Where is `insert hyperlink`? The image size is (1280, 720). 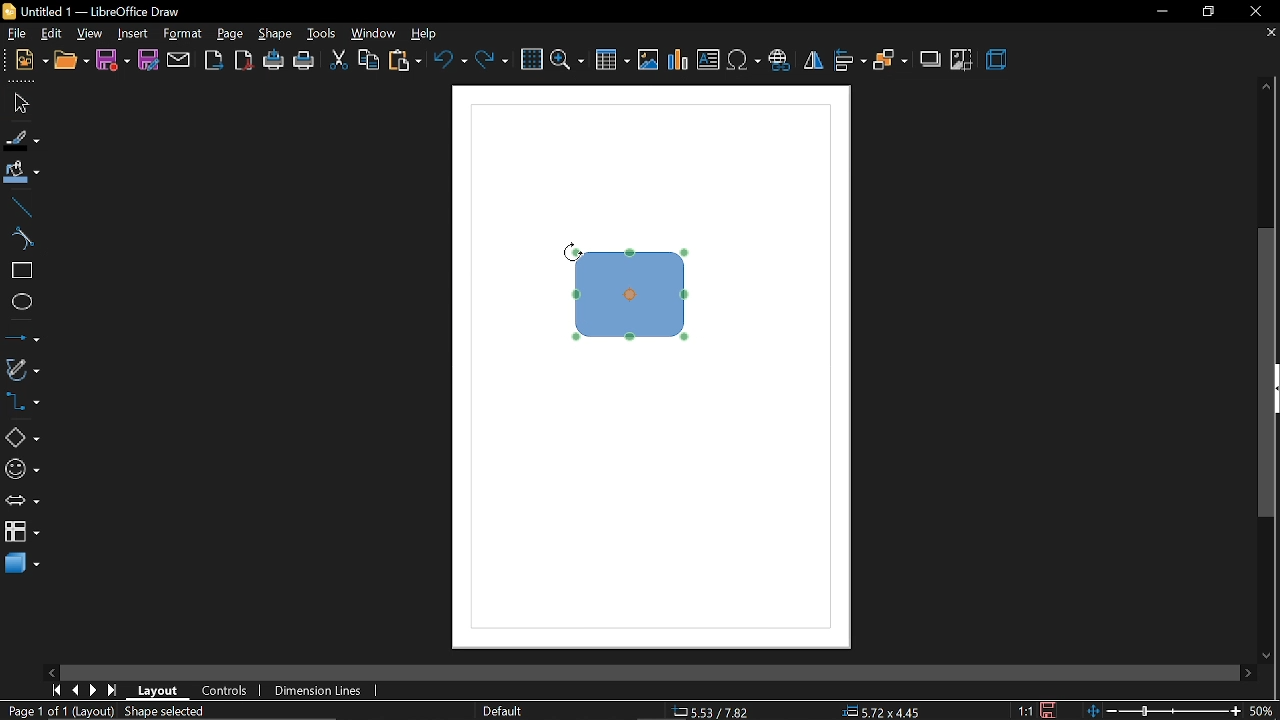
insert hyperlink is located at coordinates (780, 62).